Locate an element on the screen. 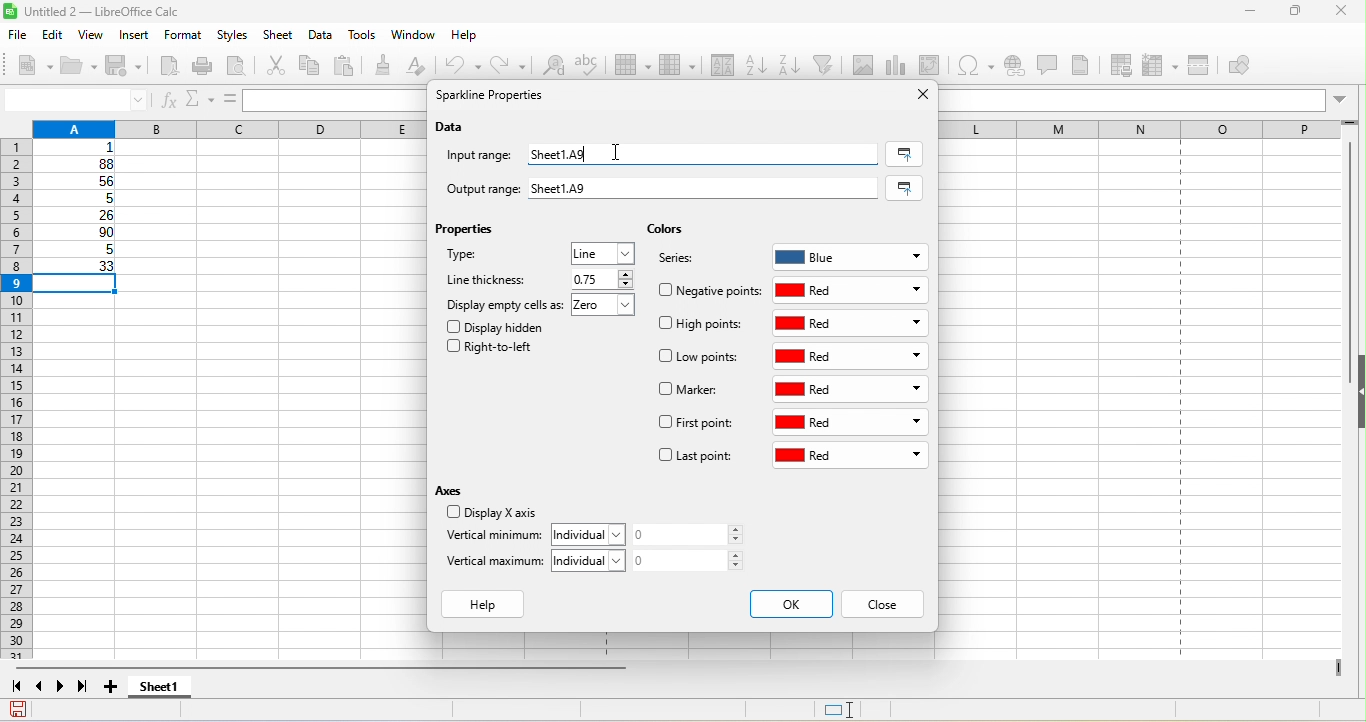  right to left is located at coordinates (496, 350).